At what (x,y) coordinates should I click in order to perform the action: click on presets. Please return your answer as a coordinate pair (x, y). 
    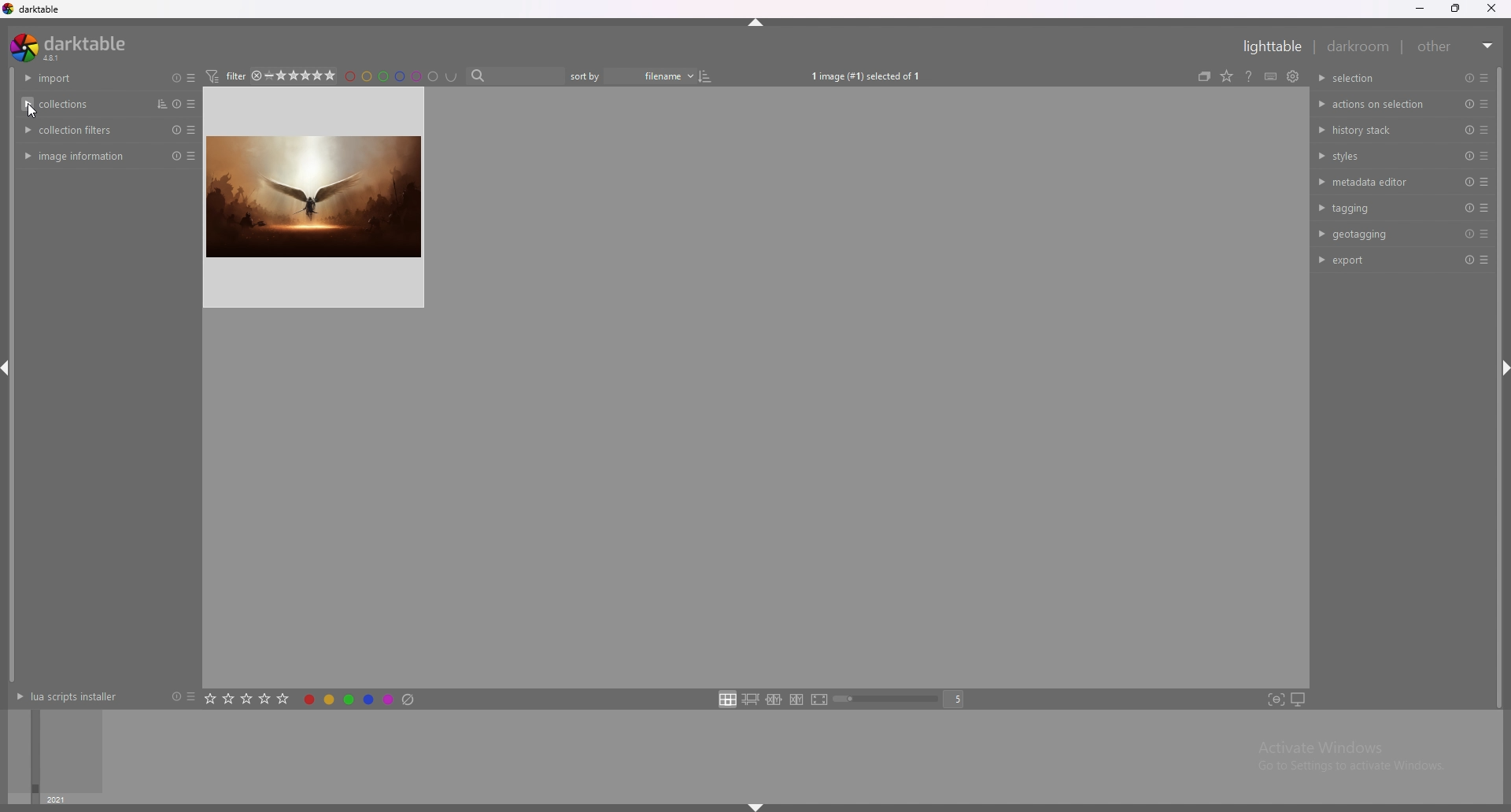
    Looking at the image, I should click on (1484, 182).